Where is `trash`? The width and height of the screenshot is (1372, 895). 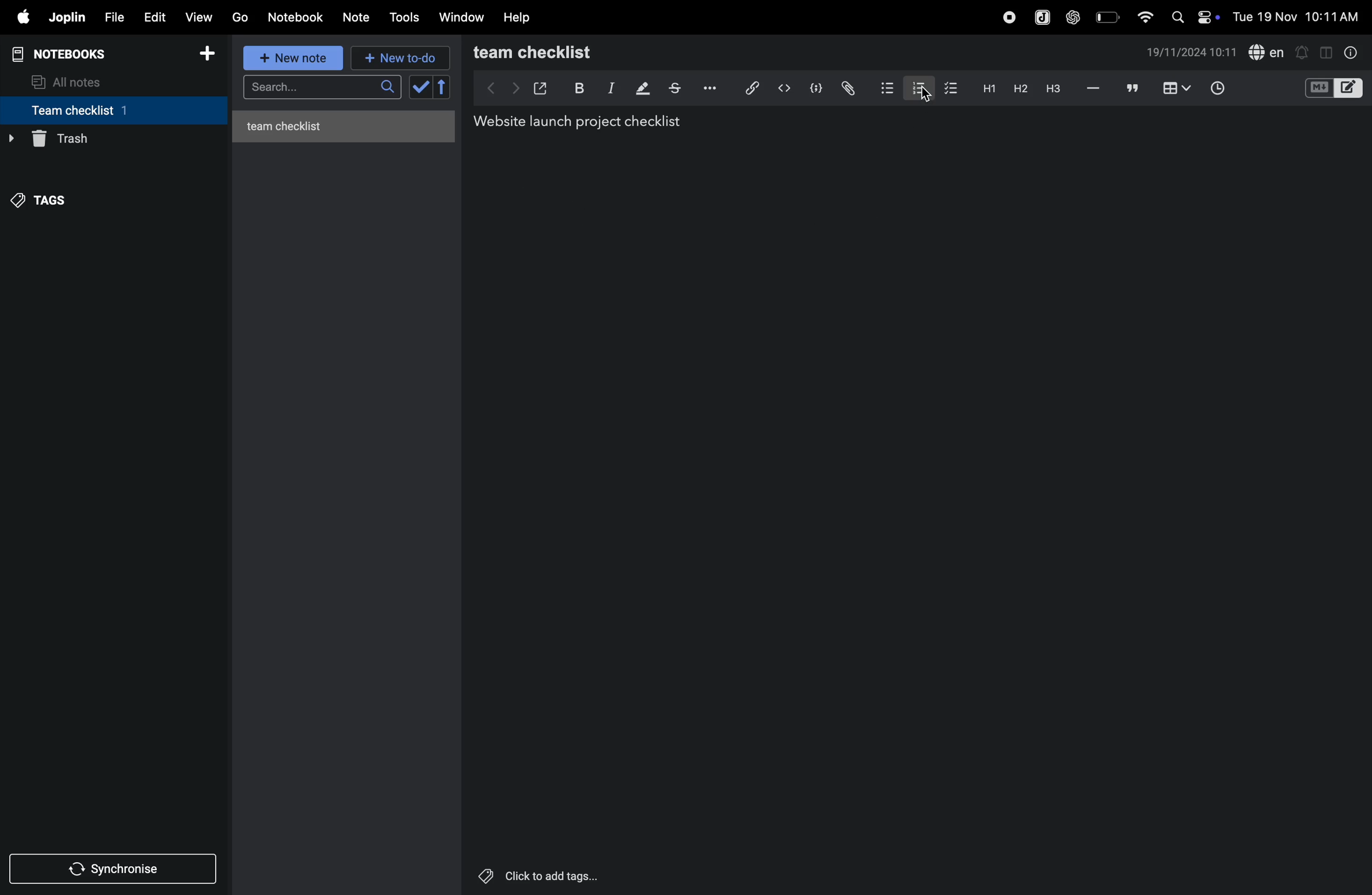
trash is located at coordinates (109, 139).